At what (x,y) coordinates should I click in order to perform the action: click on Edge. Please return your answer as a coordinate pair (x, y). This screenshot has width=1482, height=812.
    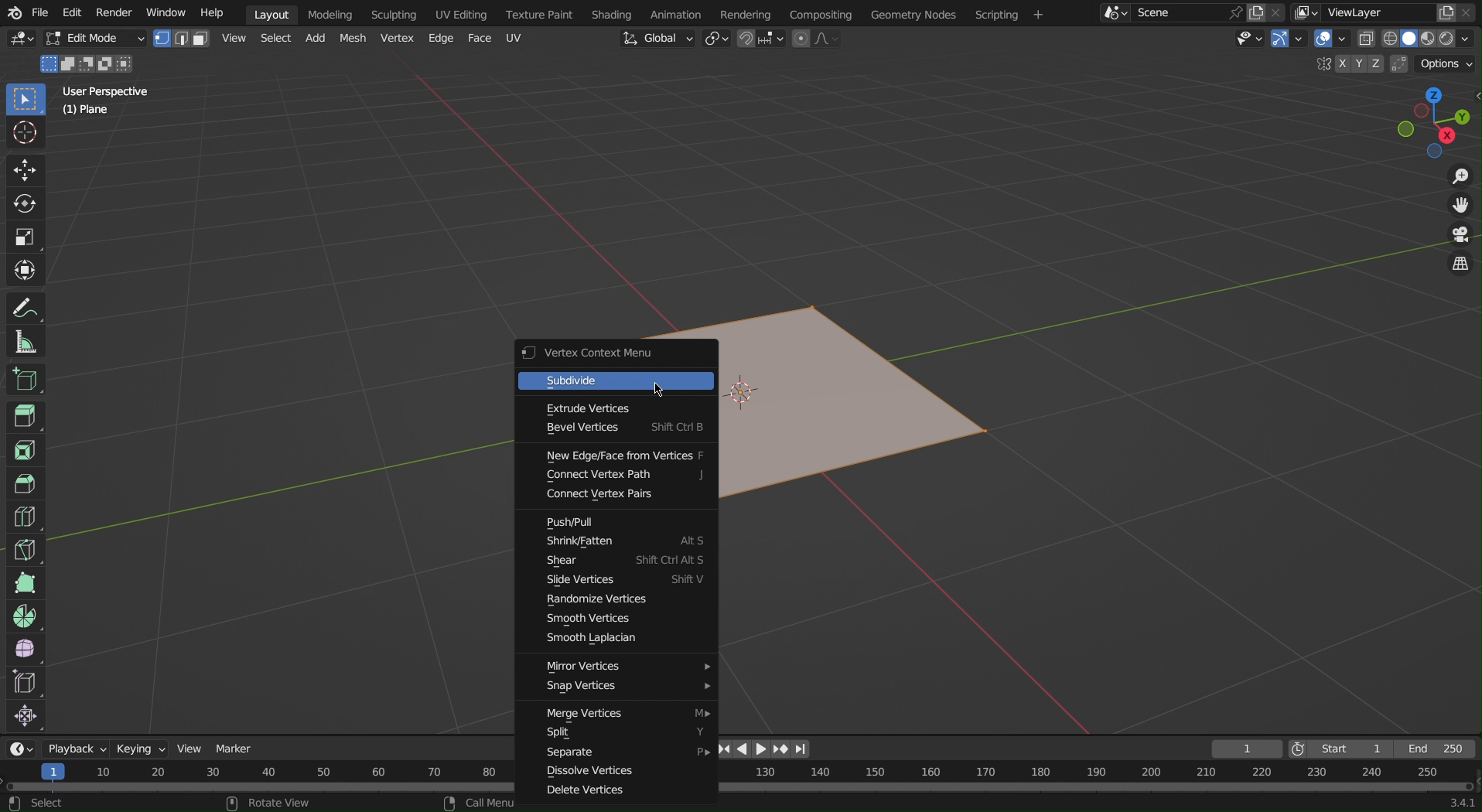
    Looking at the image, I should click on (439, 39).